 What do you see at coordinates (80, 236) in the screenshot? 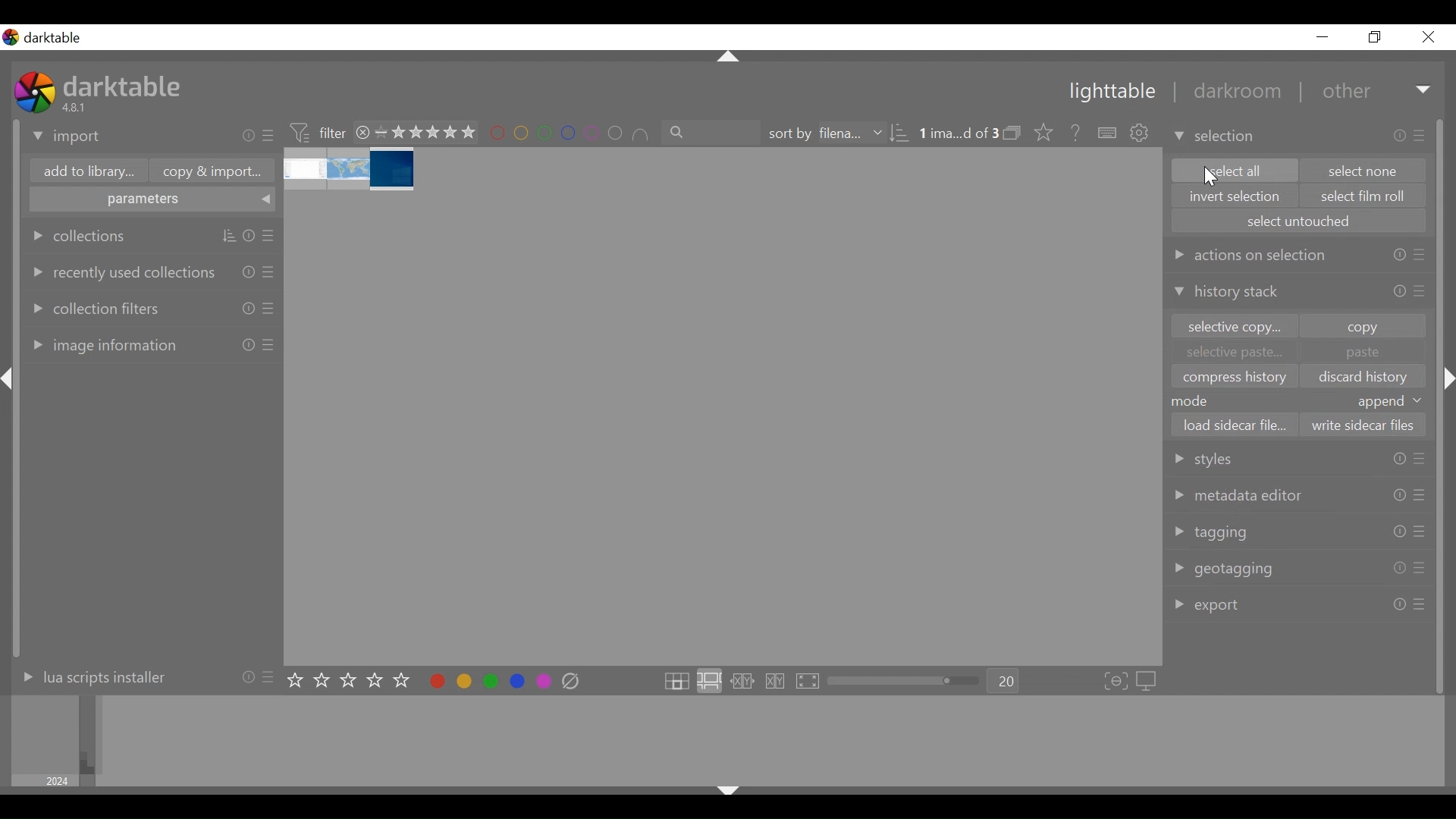
I see `collections` at bounding box center [80, 236].